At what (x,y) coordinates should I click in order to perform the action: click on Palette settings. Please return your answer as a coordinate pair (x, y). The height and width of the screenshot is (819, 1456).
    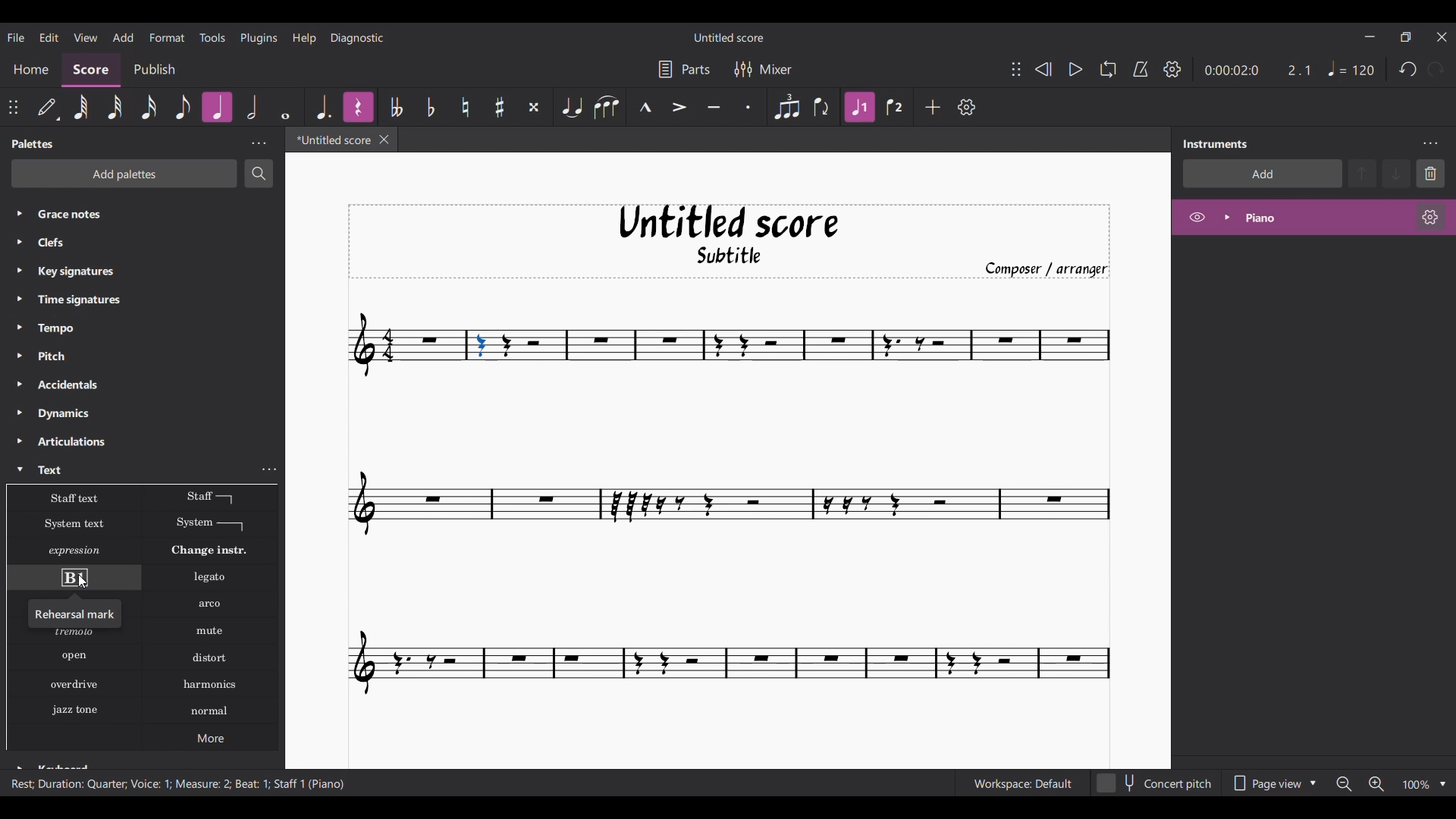
    Looking at the image, I should click on (259, 143).